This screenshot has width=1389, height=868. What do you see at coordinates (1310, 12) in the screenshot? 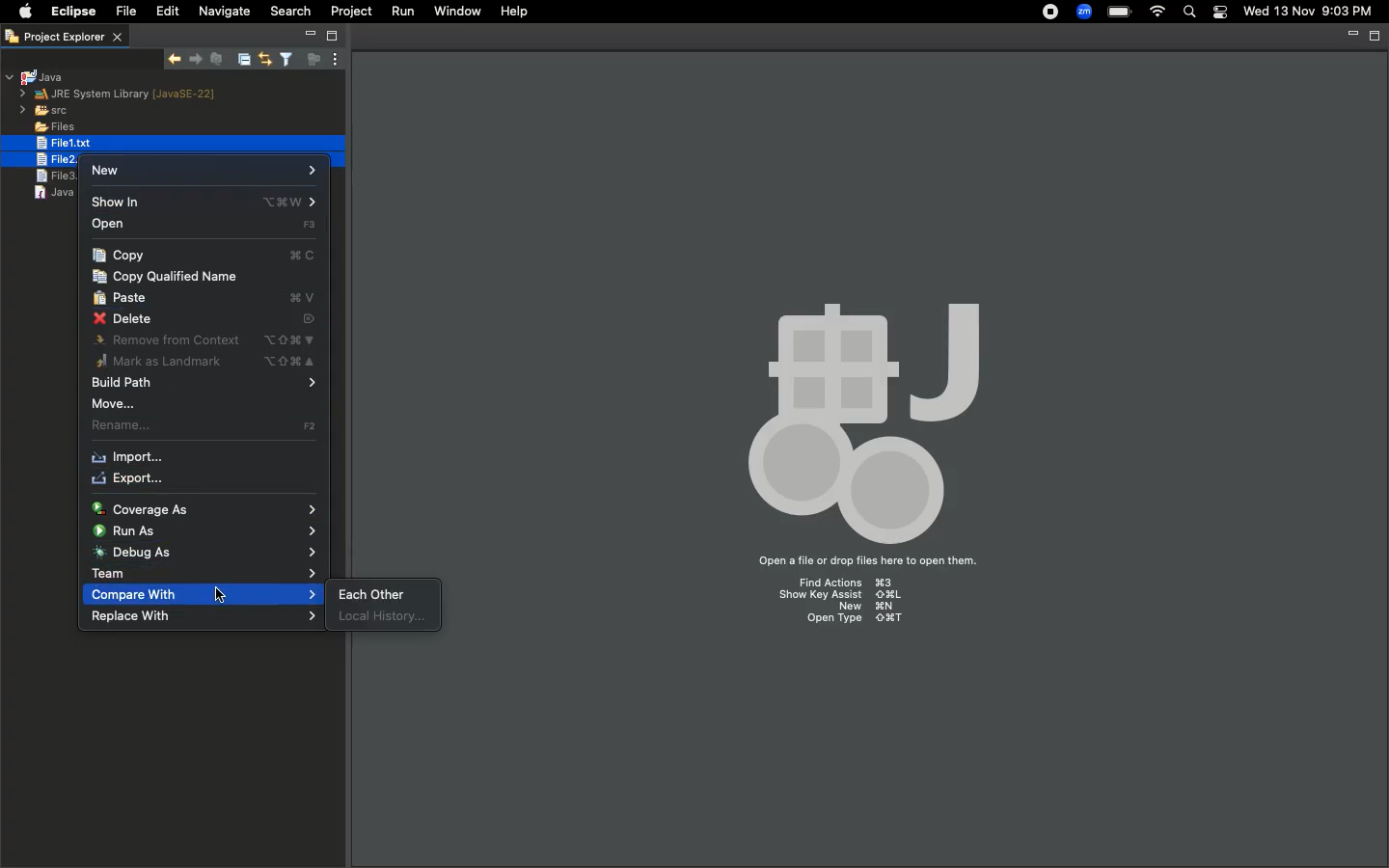
I see `Date/time` at bounding box center [1310, 12].